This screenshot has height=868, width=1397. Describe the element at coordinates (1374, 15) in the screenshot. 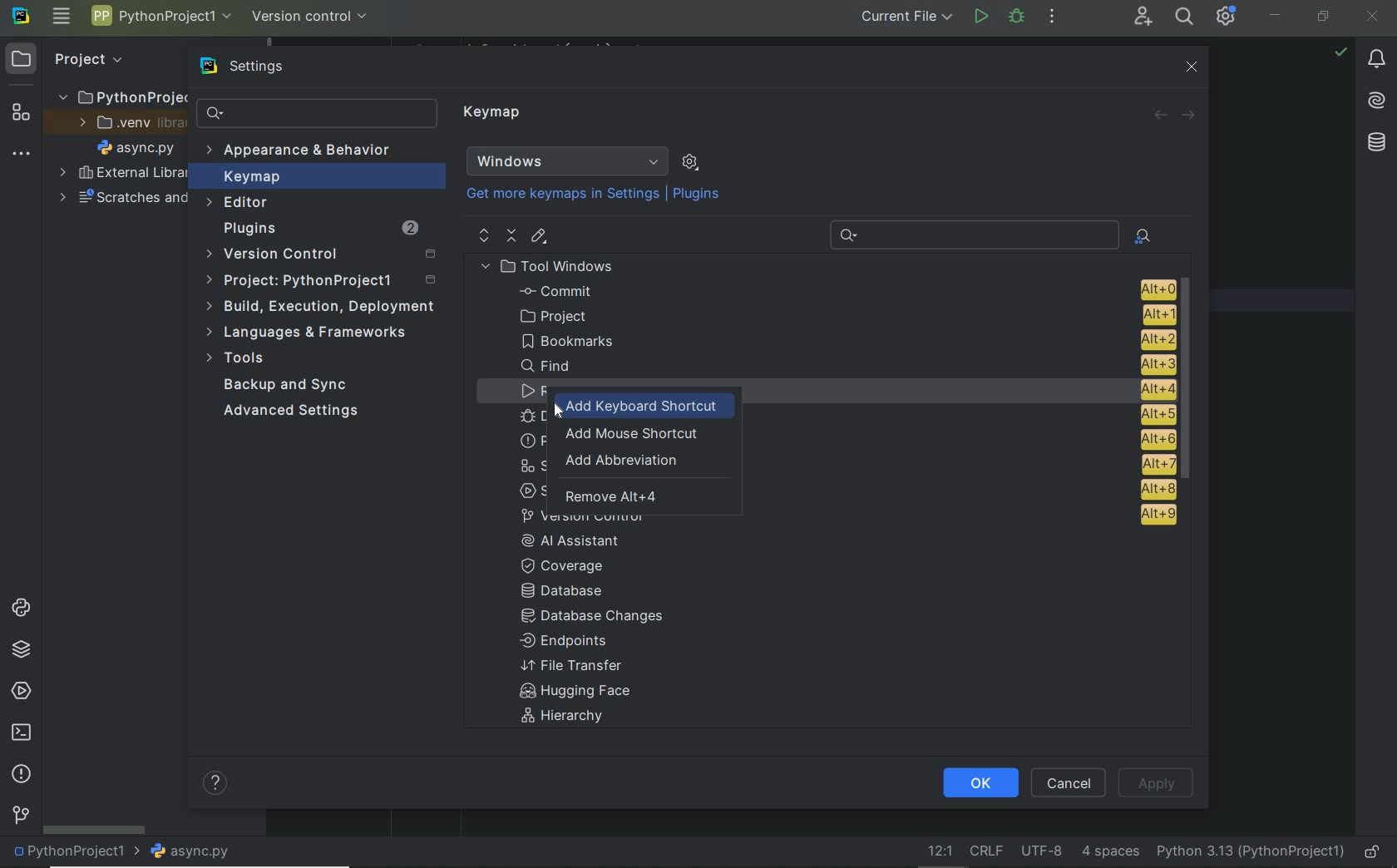

I see `close` at that location.